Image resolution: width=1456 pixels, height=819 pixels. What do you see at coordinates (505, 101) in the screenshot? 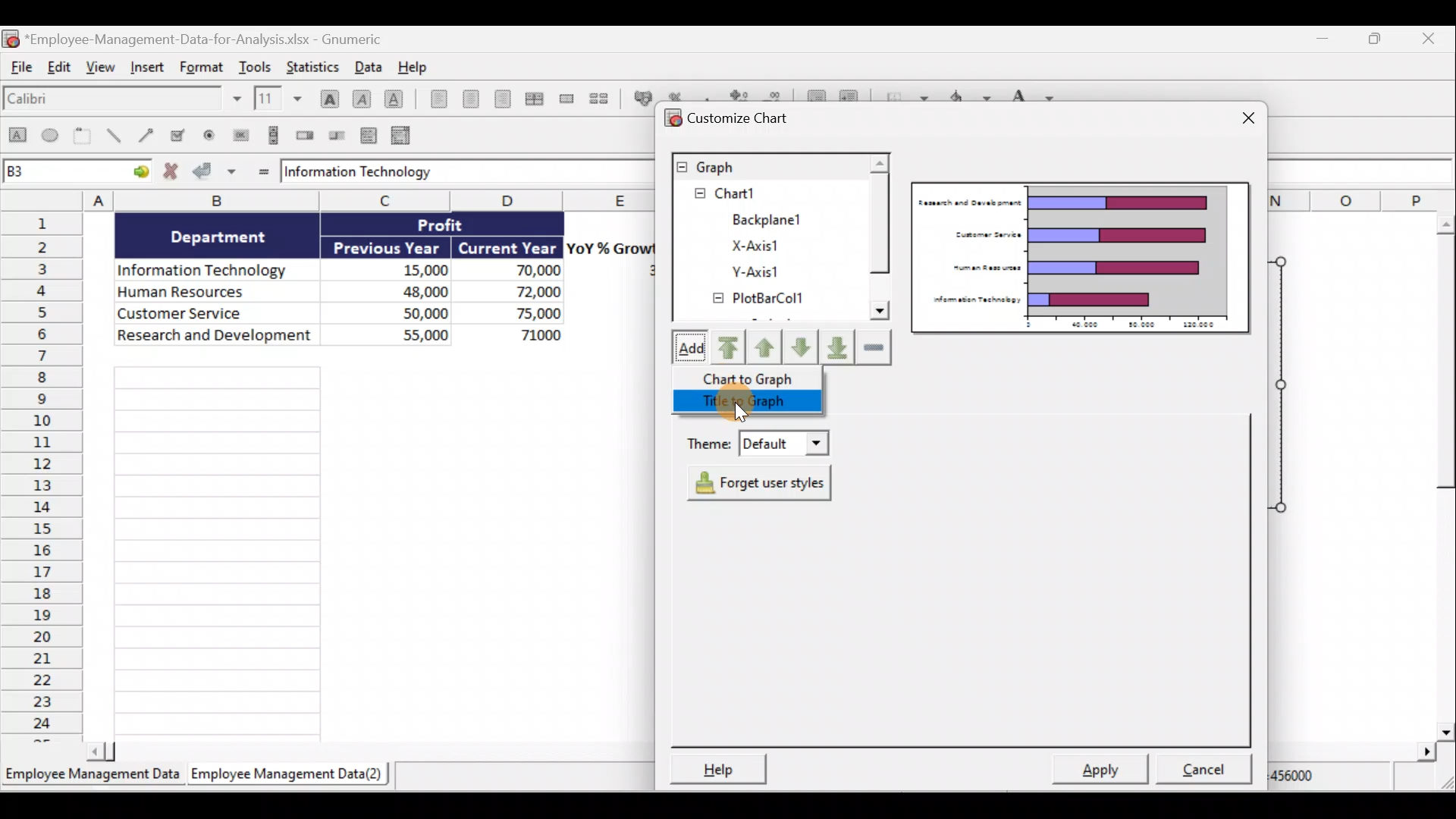
I see `Align right` at bounding box center [505, 101].